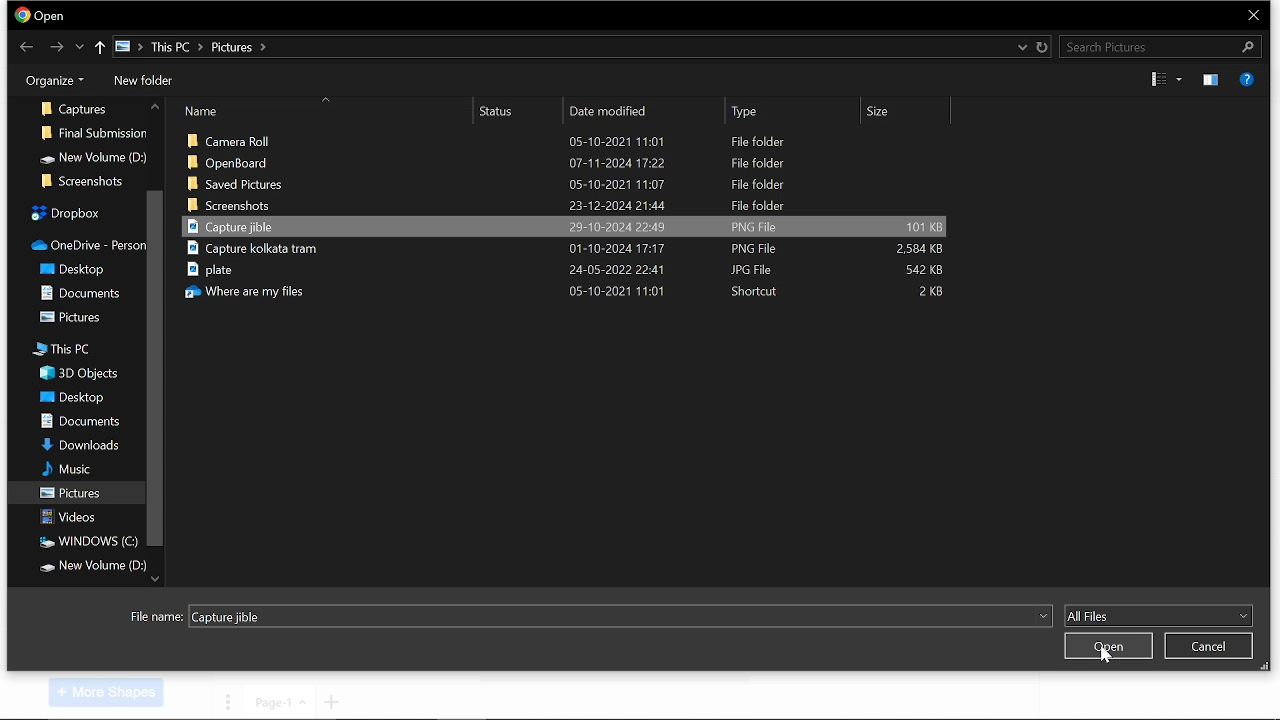 The height and width of the screenshot is (720, 1280). Describe the element at coordinates (1108, 658) in the screenshot. I see `Cursor` at that location.